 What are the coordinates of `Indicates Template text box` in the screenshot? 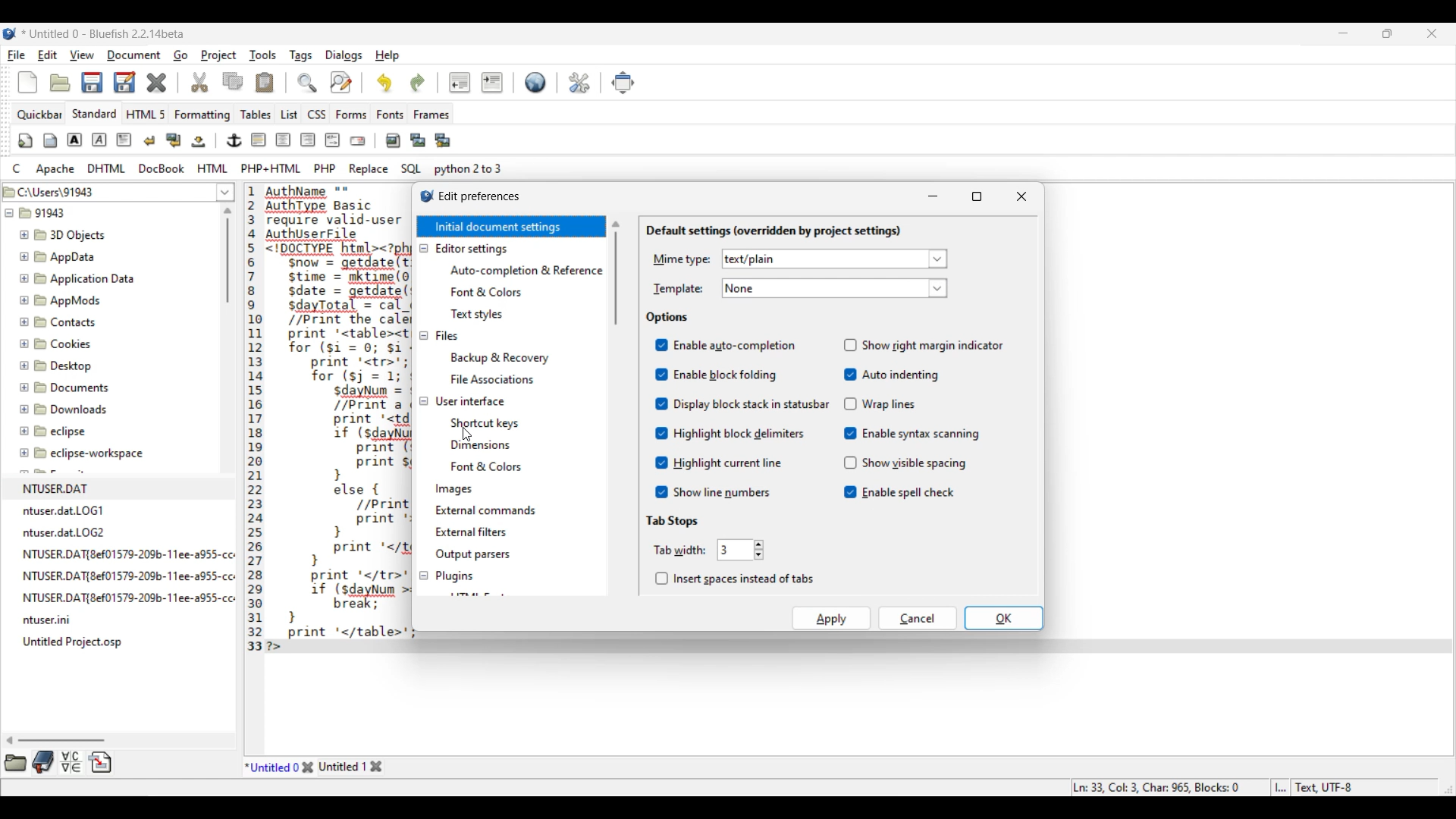 It's located at (678, 289).